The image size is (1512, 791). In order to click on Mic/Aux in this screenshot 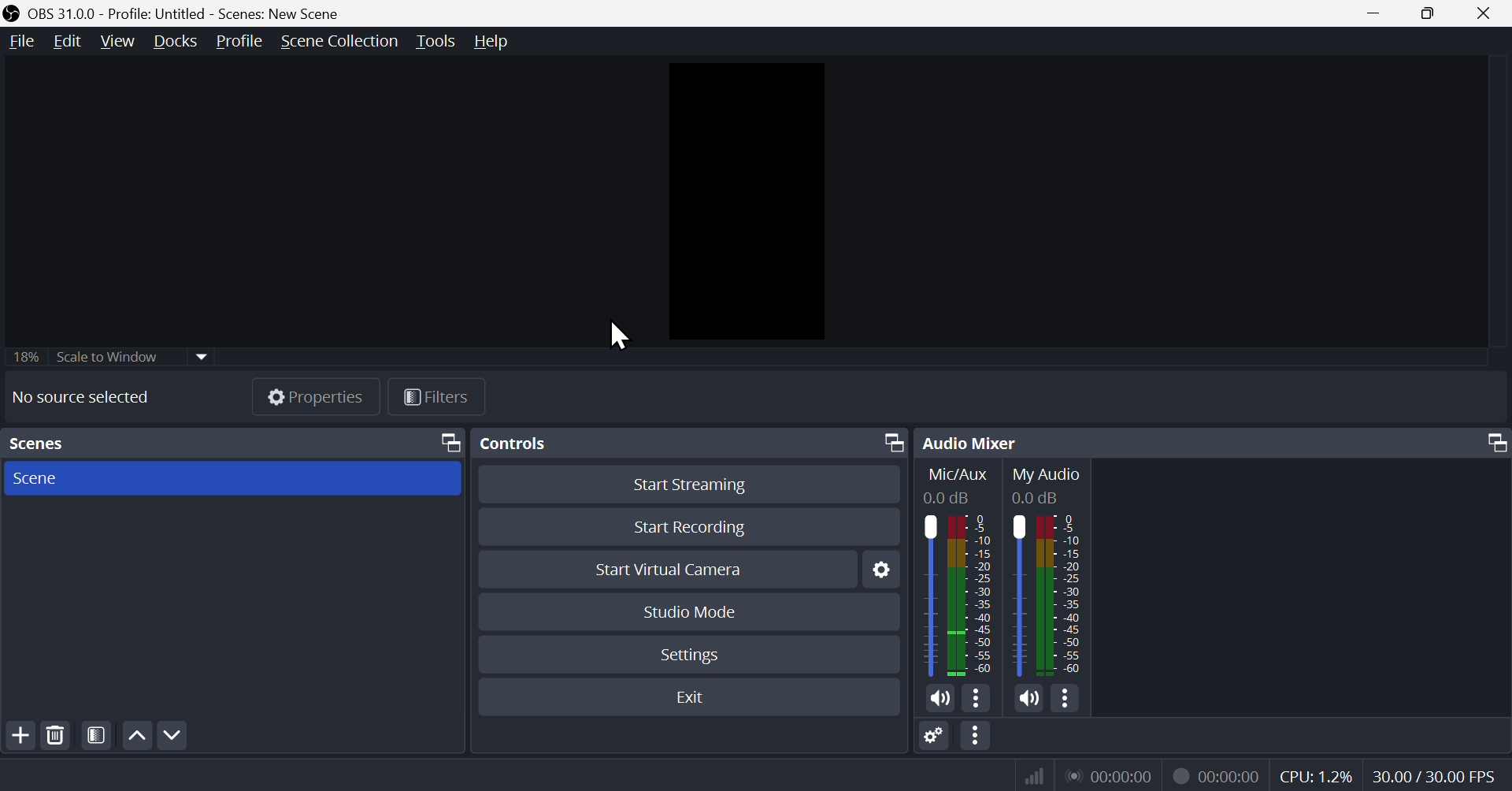, I will do `click(963, 570)`.